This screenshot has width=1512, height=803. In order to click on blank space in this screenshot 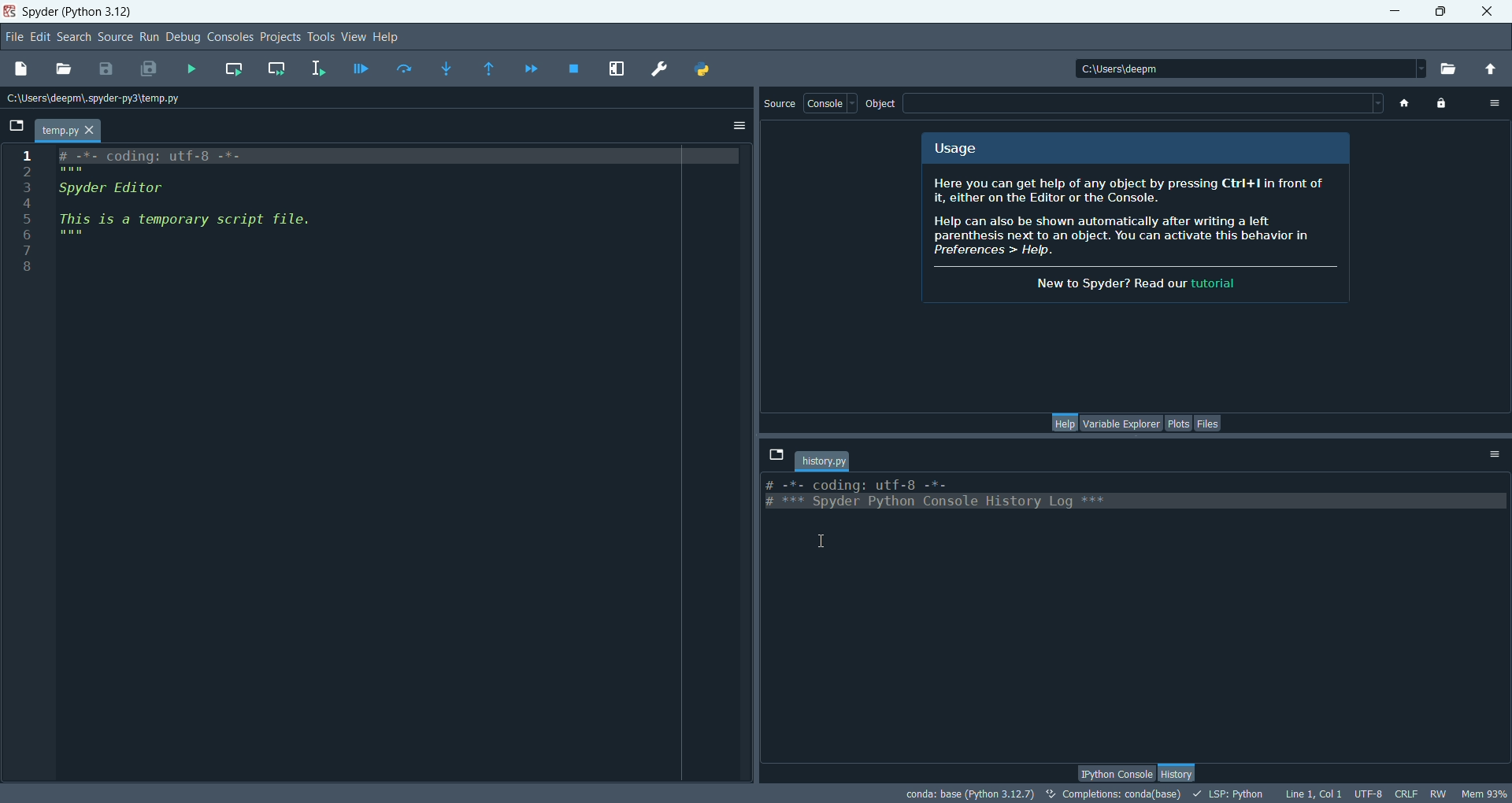, I will do `click(1150, 104)`.